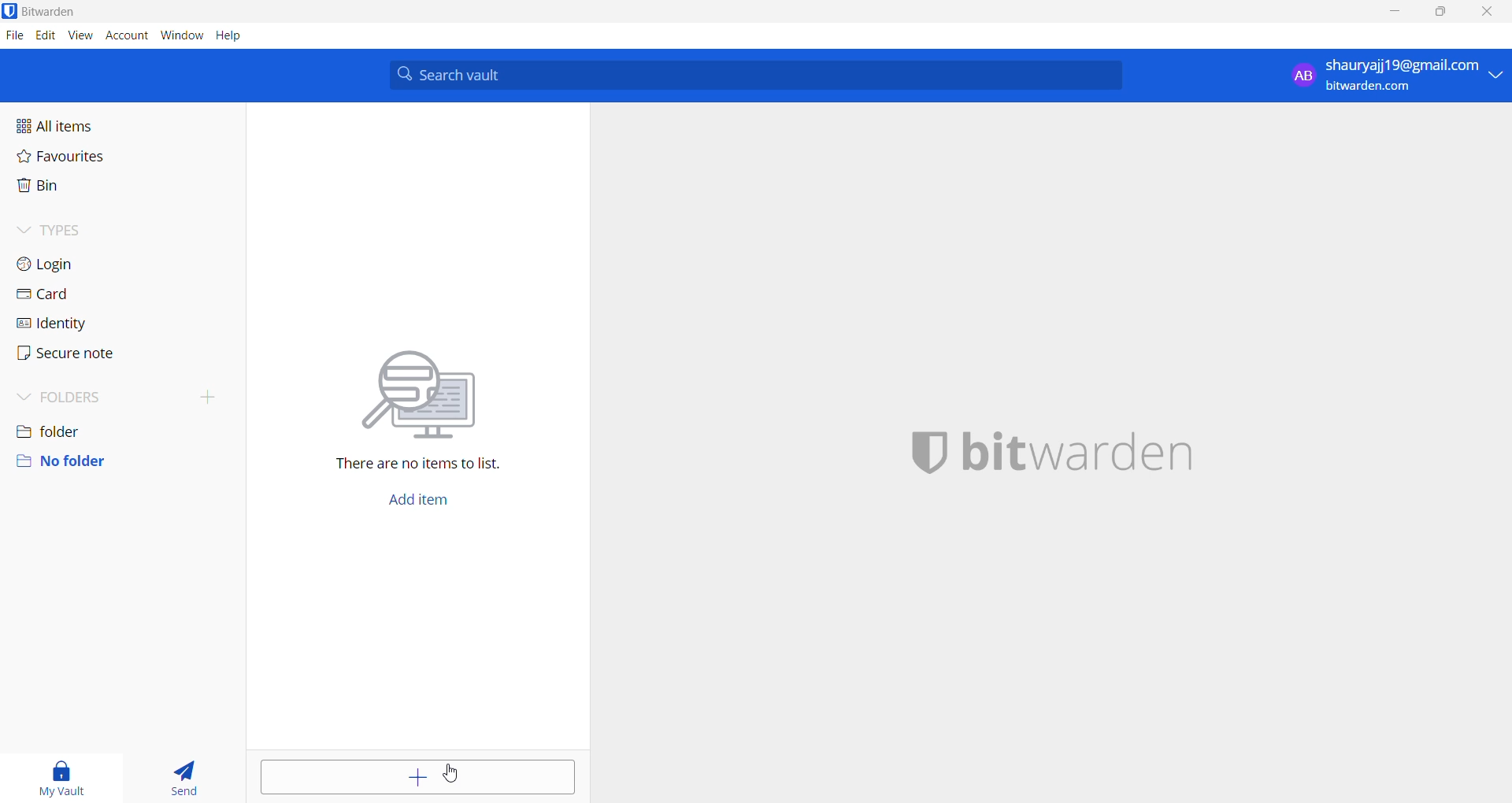  Describe the element at coordinates (1051, 457) in the screenshot. I see `application name and logo` at that location.